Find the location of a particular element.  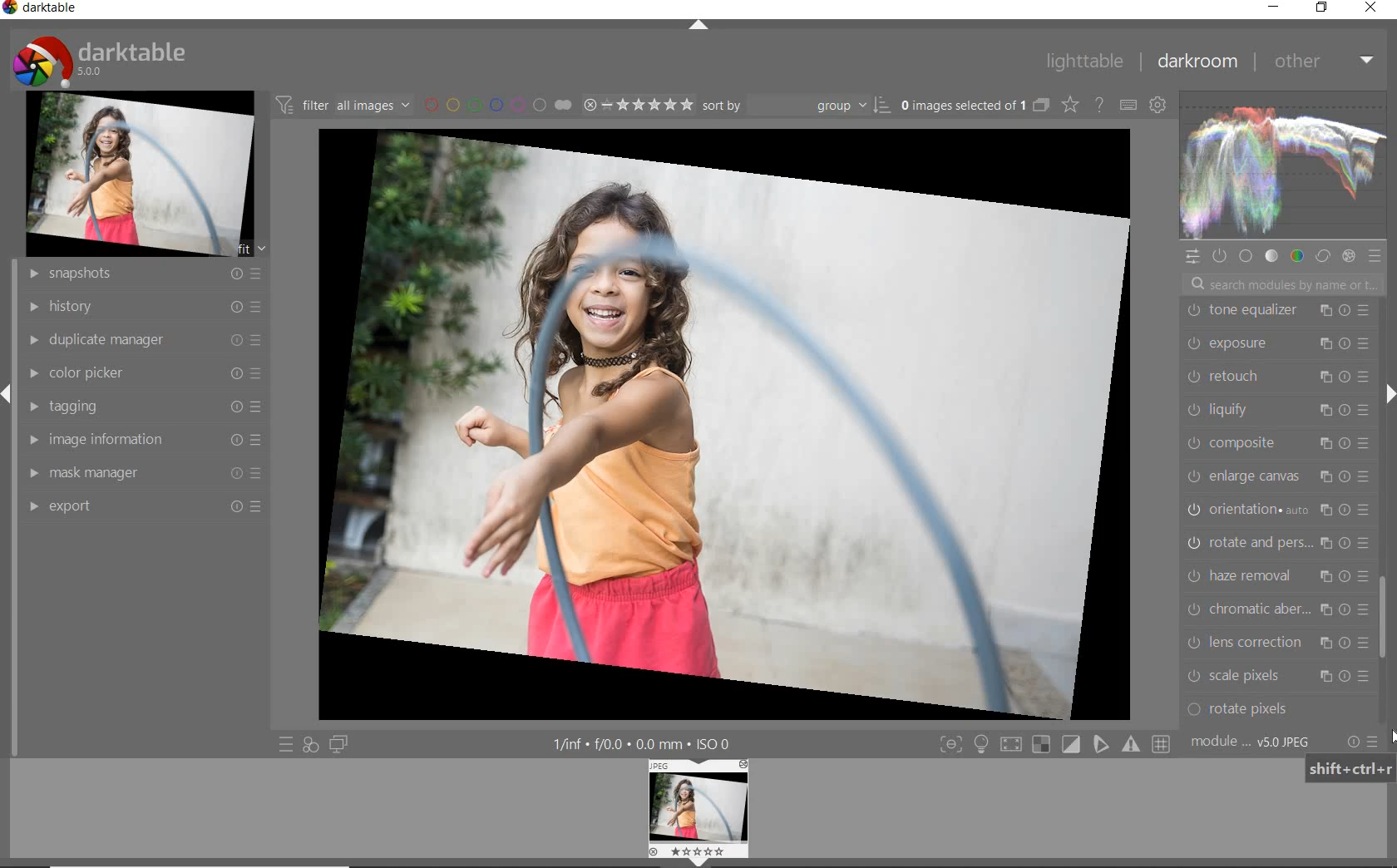

export is located at coordinates (146, 505).